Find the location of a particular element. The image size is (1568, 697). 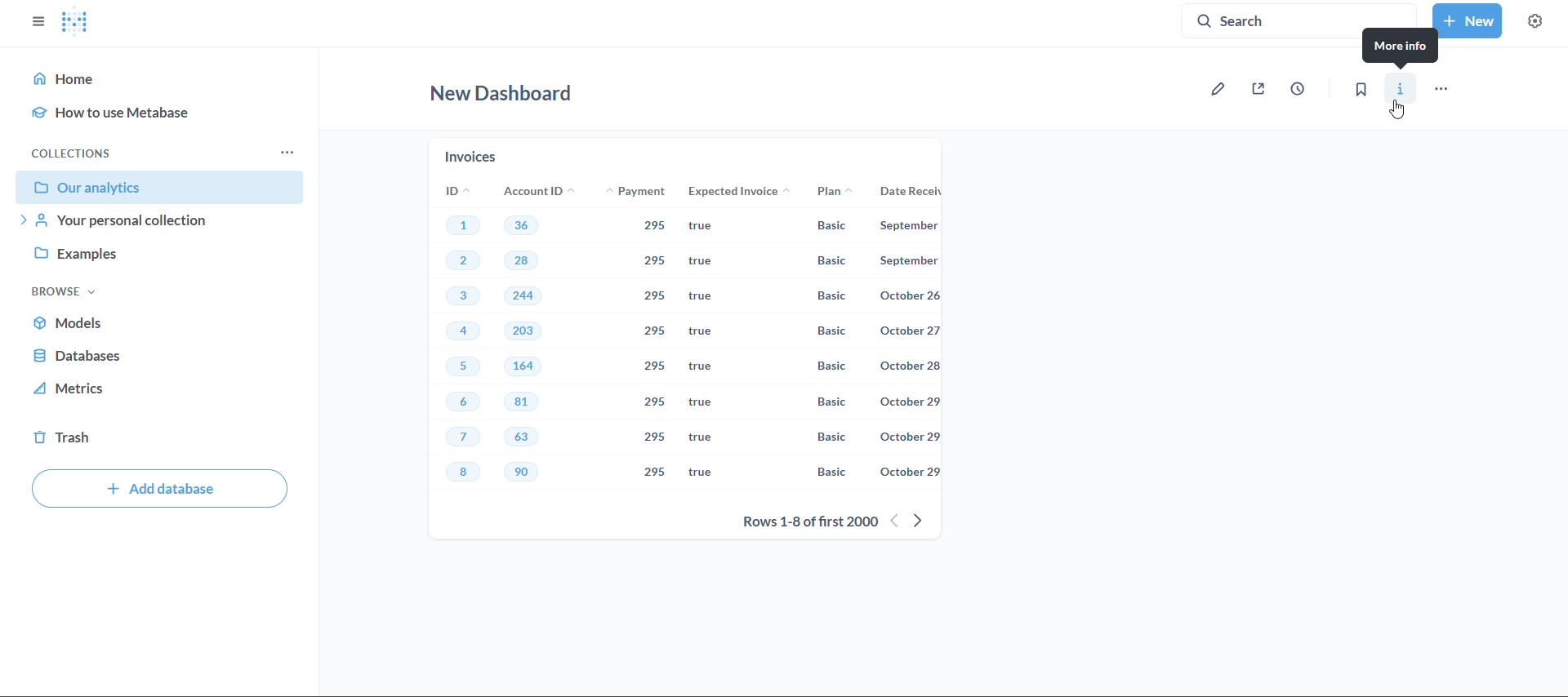

move,trash, and more is located at coordinates (1443, 87).